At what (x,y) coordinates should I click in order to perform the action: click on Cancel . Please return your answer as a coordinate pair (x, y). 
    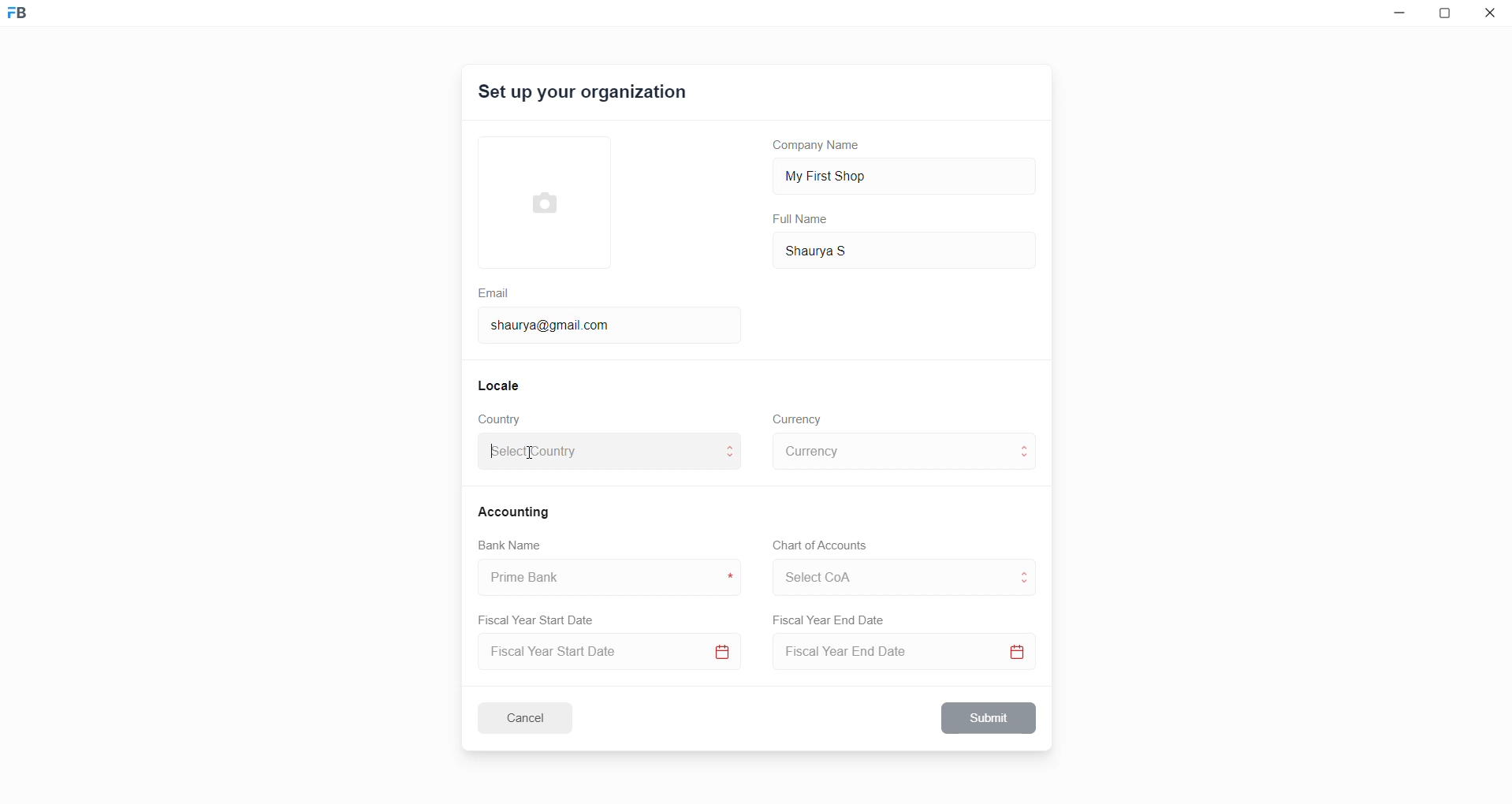
    Looking at the image, I should click on (535, 717).